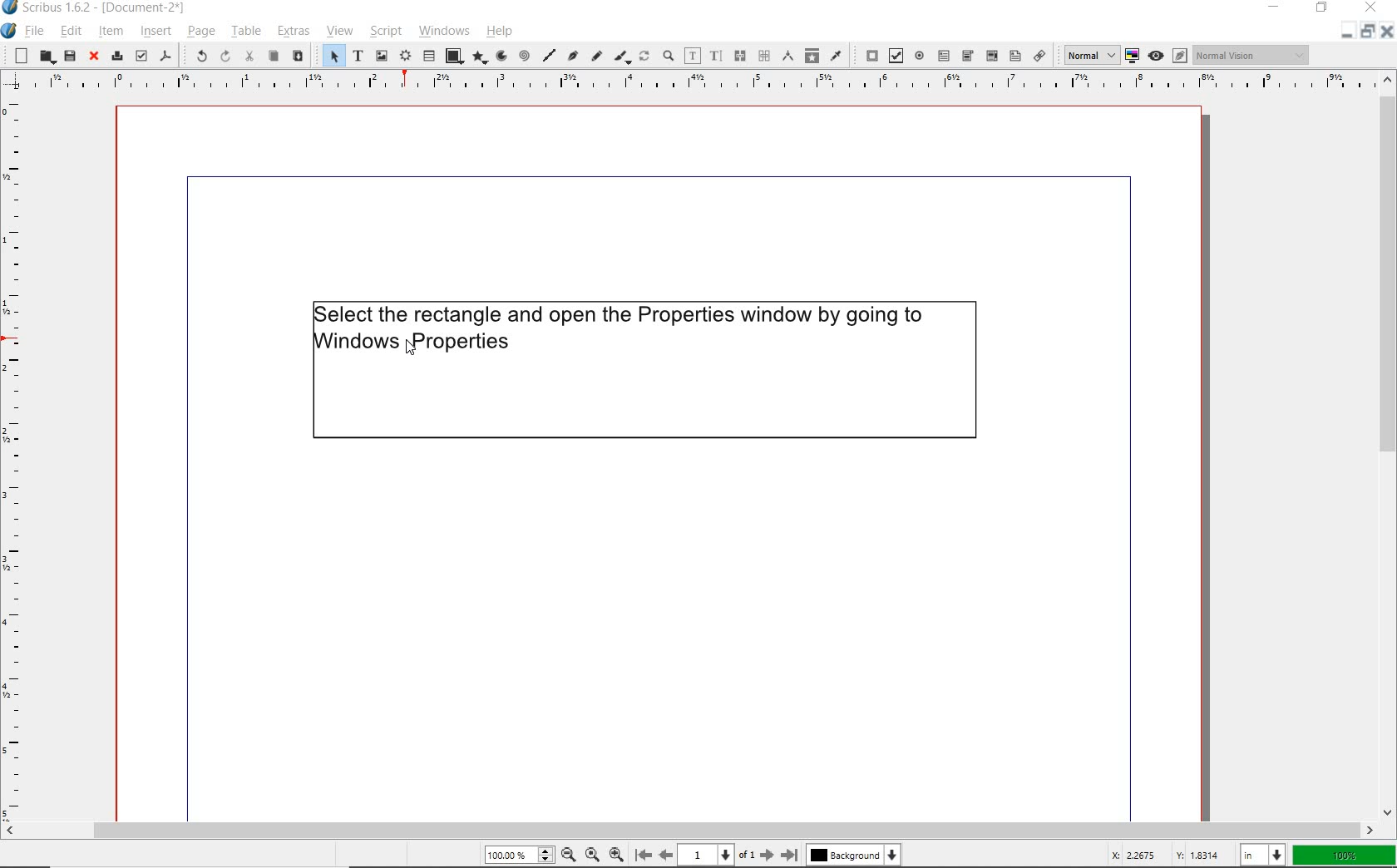 Image resolution: width=1397 pixels, height=868 pixels. Describe the element at coordinates (165, 55) in the screenshot. I see `save as pdf` at that location.